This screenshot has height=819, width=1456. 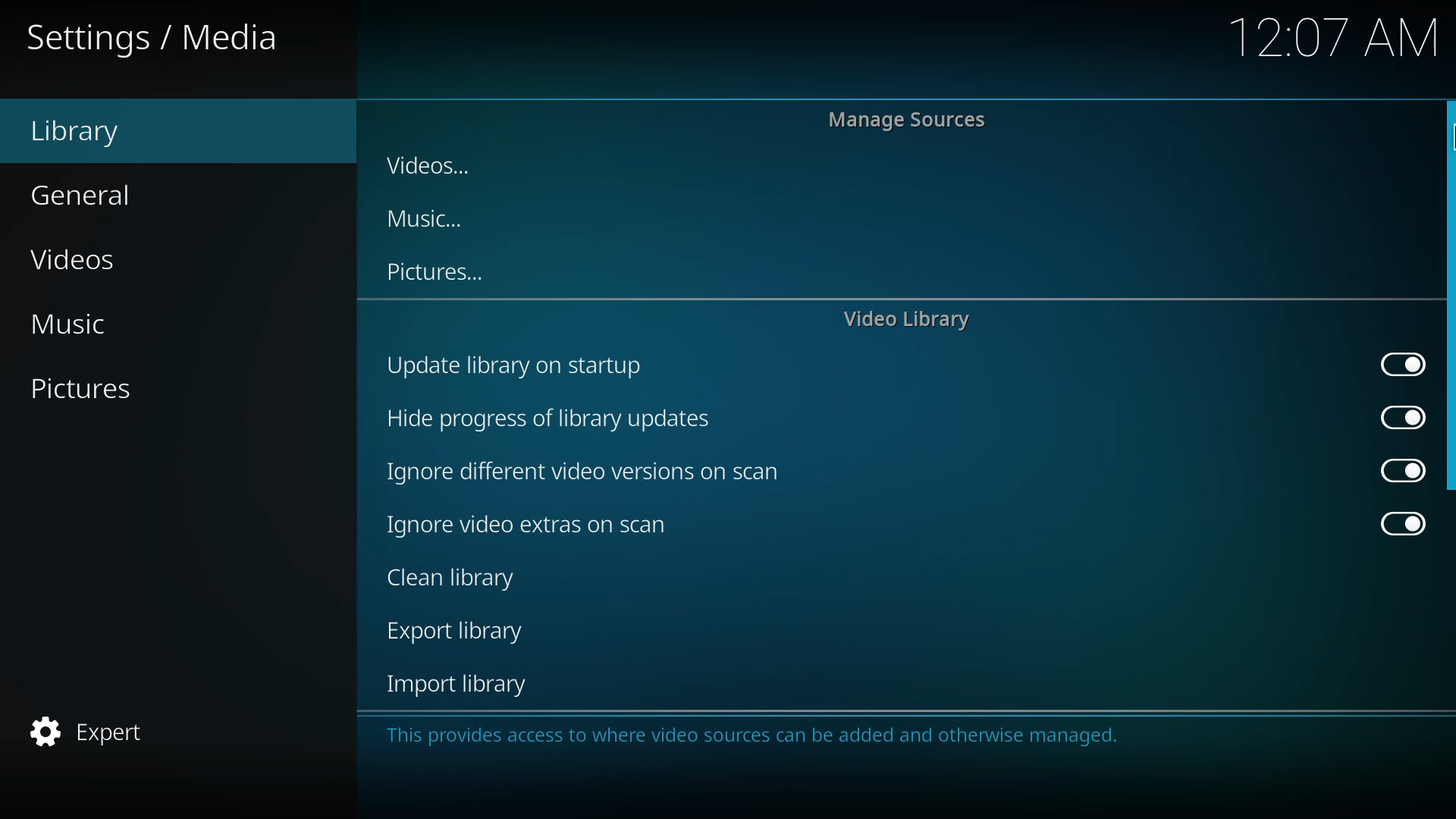 What do you see at coordinates (67, 324) in the screenshot?
I see `music` at bounding box center [67, 324].